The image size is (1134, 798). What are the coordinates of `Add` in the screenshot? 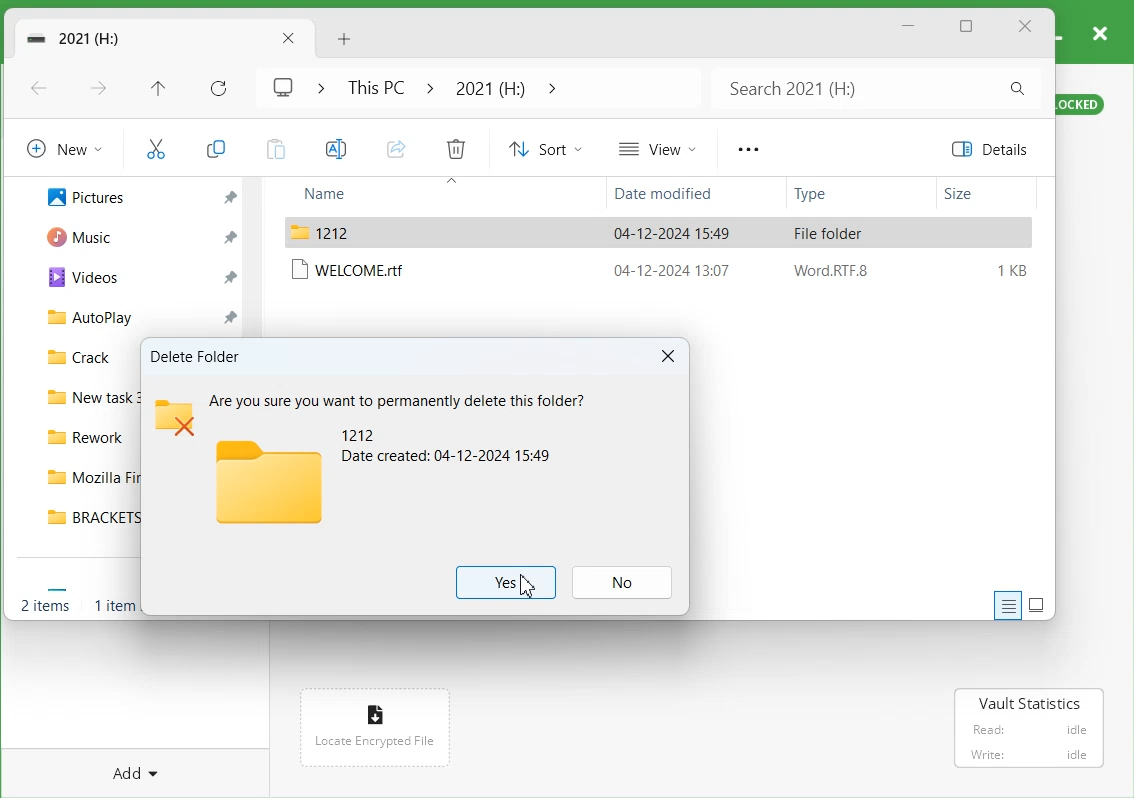 It's located at (130, 772).